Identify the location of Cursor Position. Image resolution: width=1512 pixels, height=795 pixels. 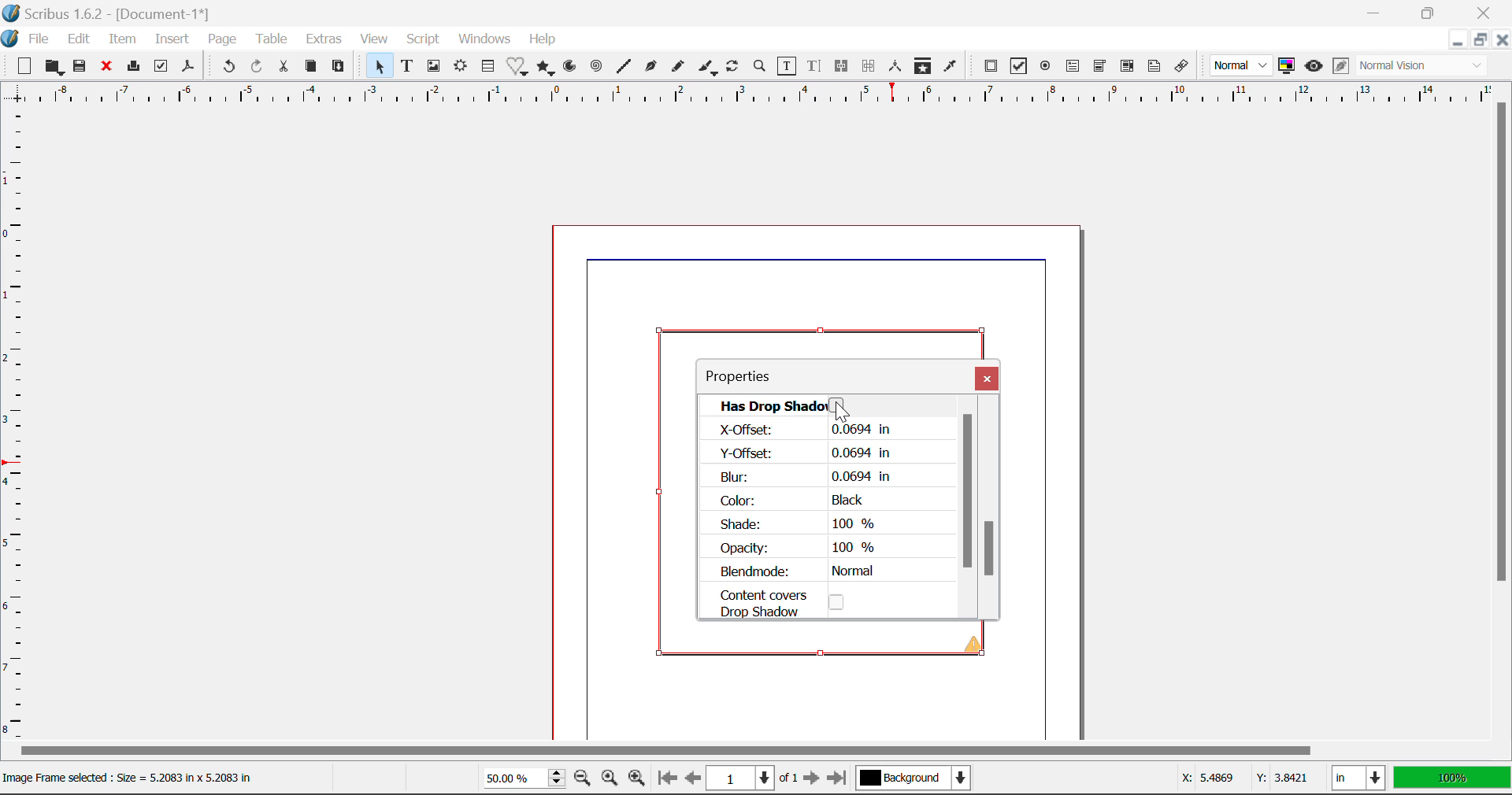
(842, 414).